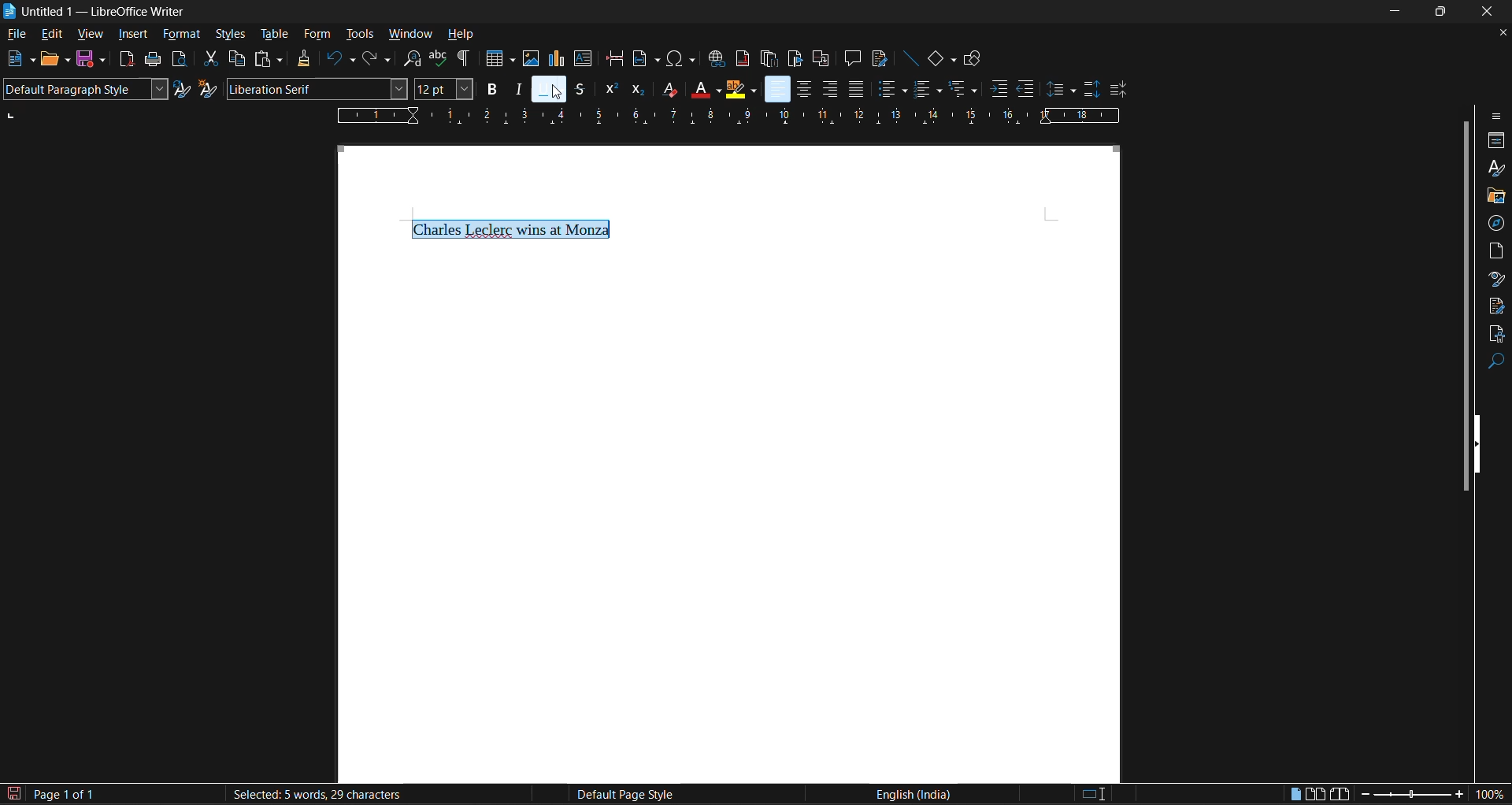 The image size is (1512, 805). Describe the element at coordinates (50, 35) in the screenshot. I see `edit` at that location.